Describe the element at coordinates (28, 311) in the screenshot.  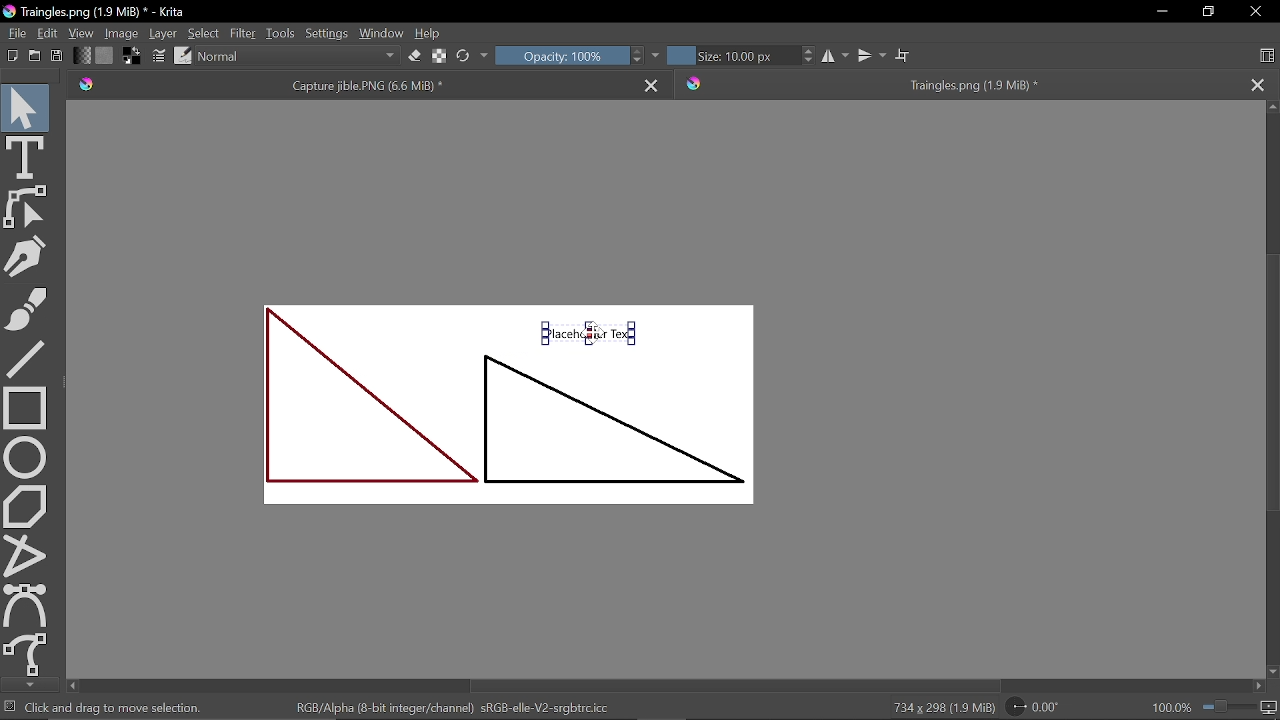
I see `Freehand brush tool` at that location.